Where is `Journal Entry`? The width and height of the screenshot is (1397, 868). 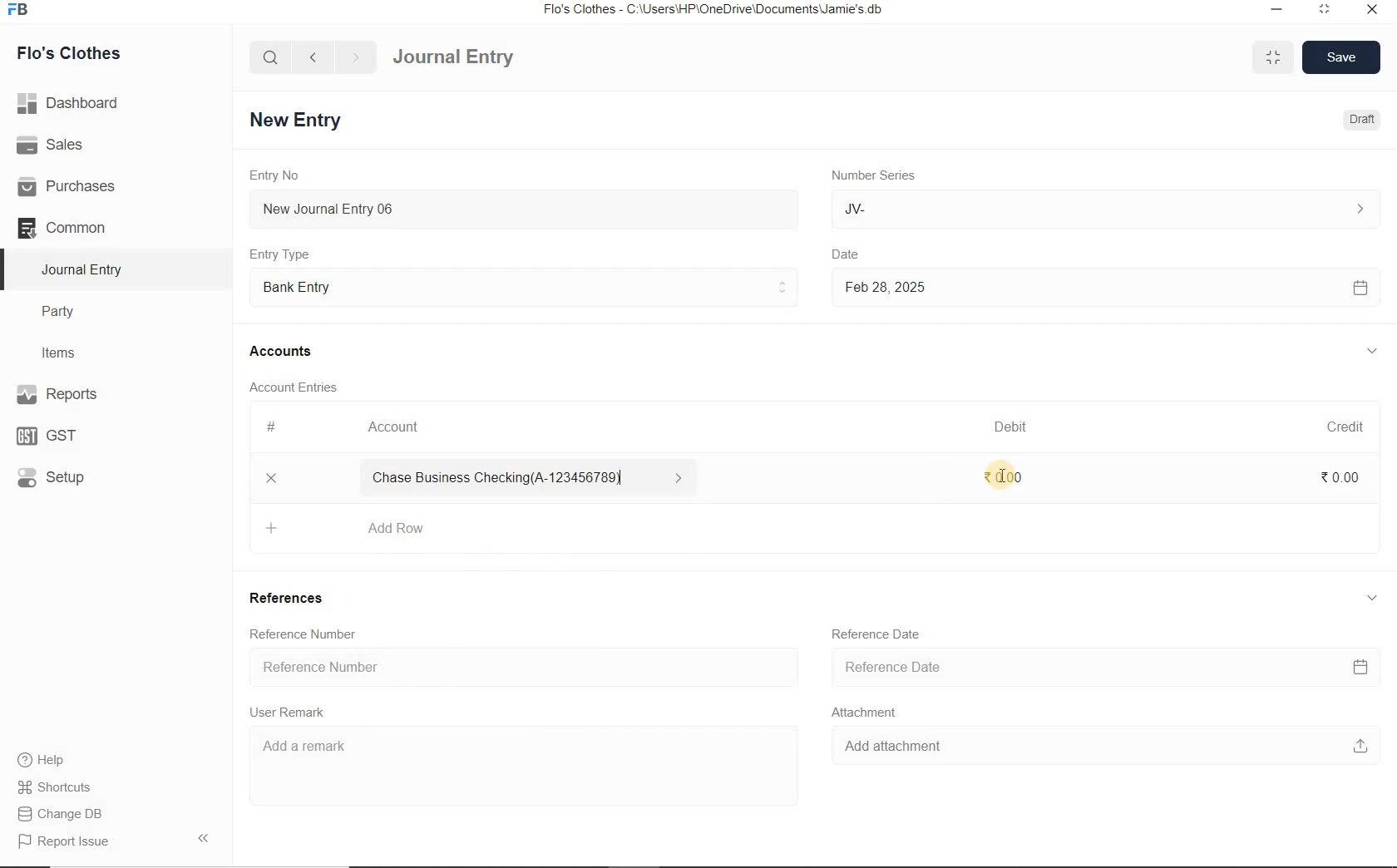
Journal Entry is located at coordinates (483, 55).